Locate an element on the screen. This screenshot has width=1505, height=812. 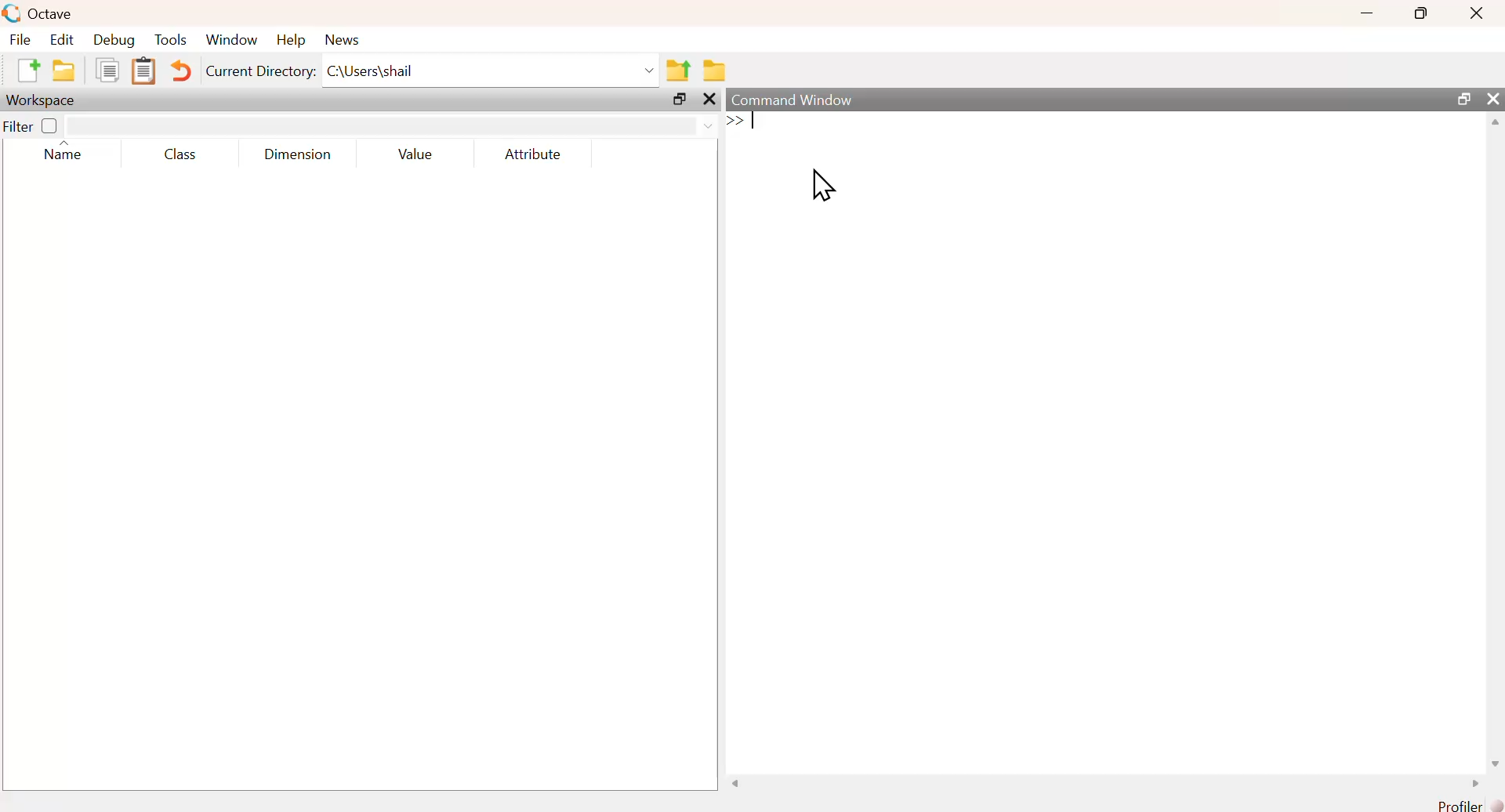
scroll right is located at coordinates (1475, 782).